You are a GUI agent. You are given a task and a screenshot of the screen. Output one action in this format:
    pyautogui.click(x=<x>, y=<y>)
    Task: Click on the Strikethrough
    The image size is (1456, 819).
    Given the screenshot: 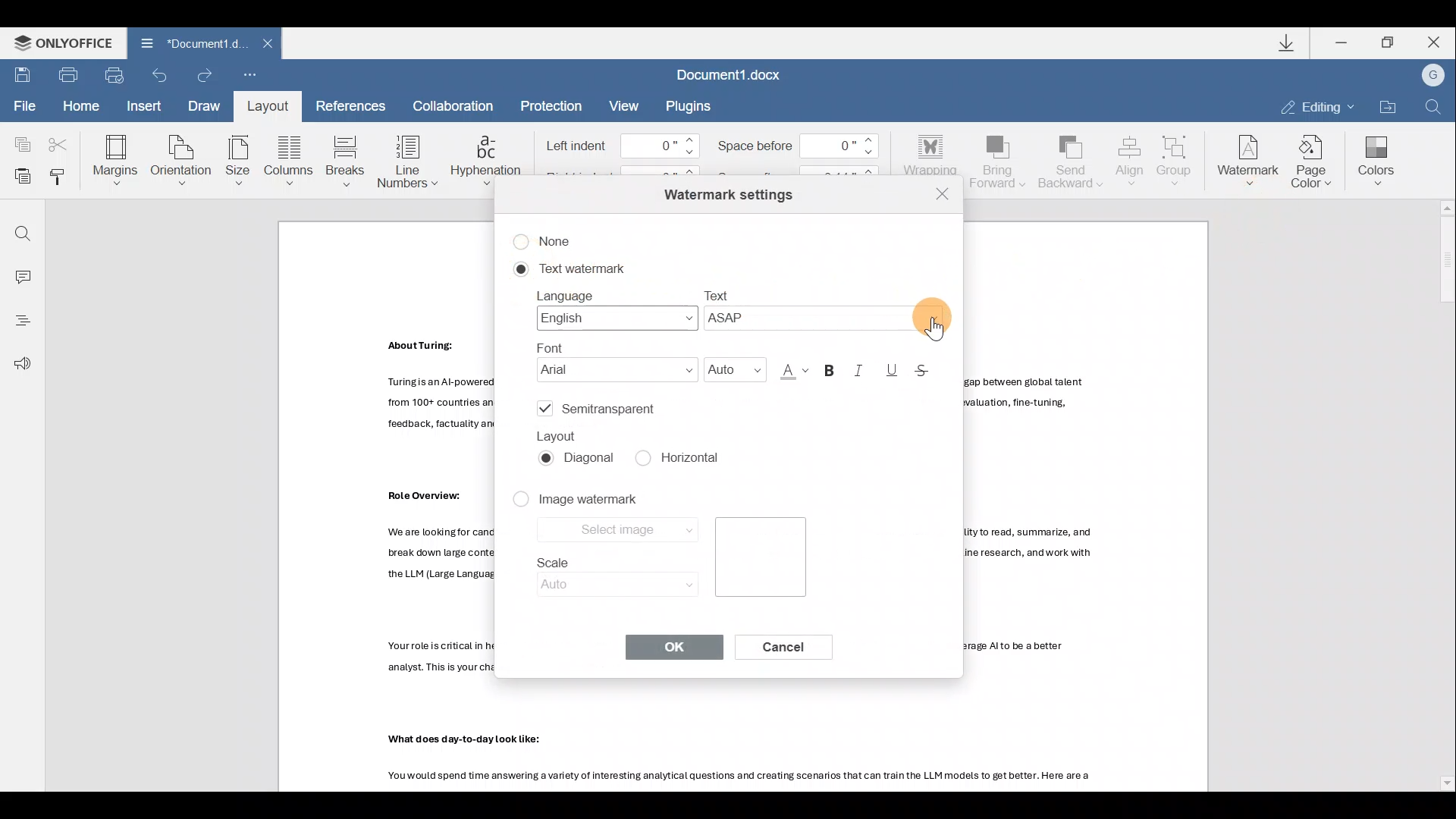 What is the action you would take?
    pyautogui.click(x=932, y=371)
    